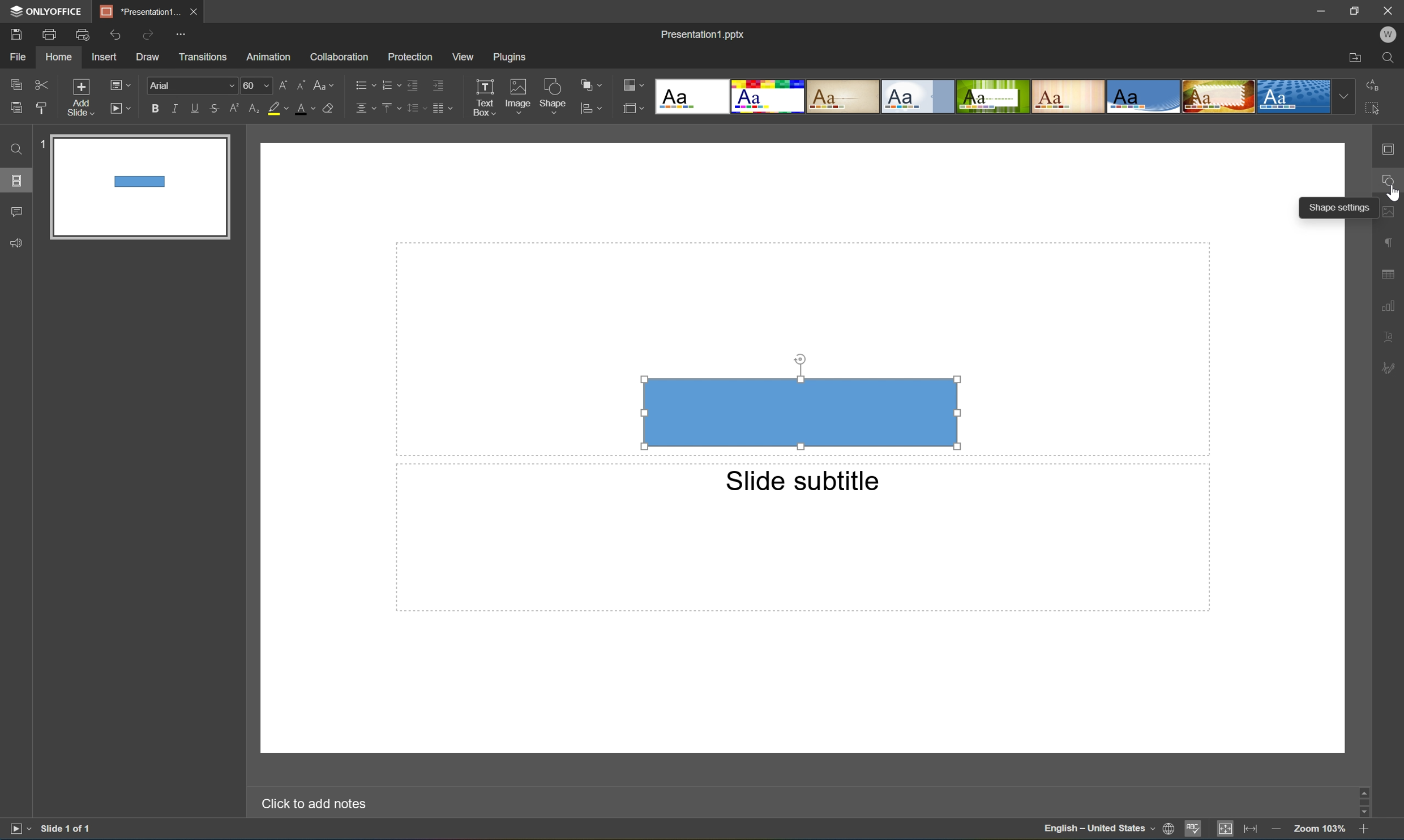 This screenshot has width=1404, height=840. I want to click on English - United States, so click(1099, 831).